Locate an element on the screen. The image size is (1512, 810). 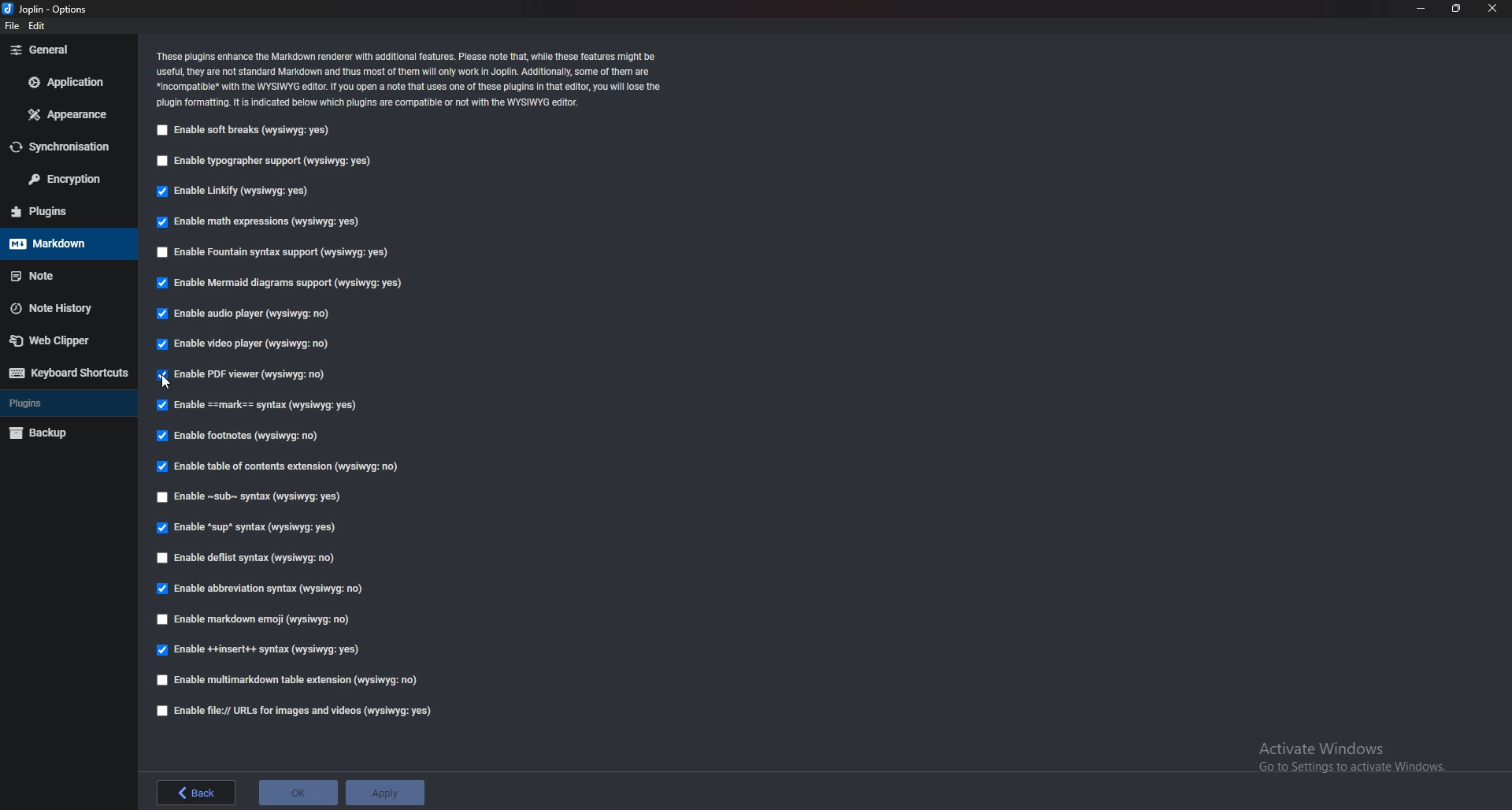
markdown is located at coordinates (65, 244).